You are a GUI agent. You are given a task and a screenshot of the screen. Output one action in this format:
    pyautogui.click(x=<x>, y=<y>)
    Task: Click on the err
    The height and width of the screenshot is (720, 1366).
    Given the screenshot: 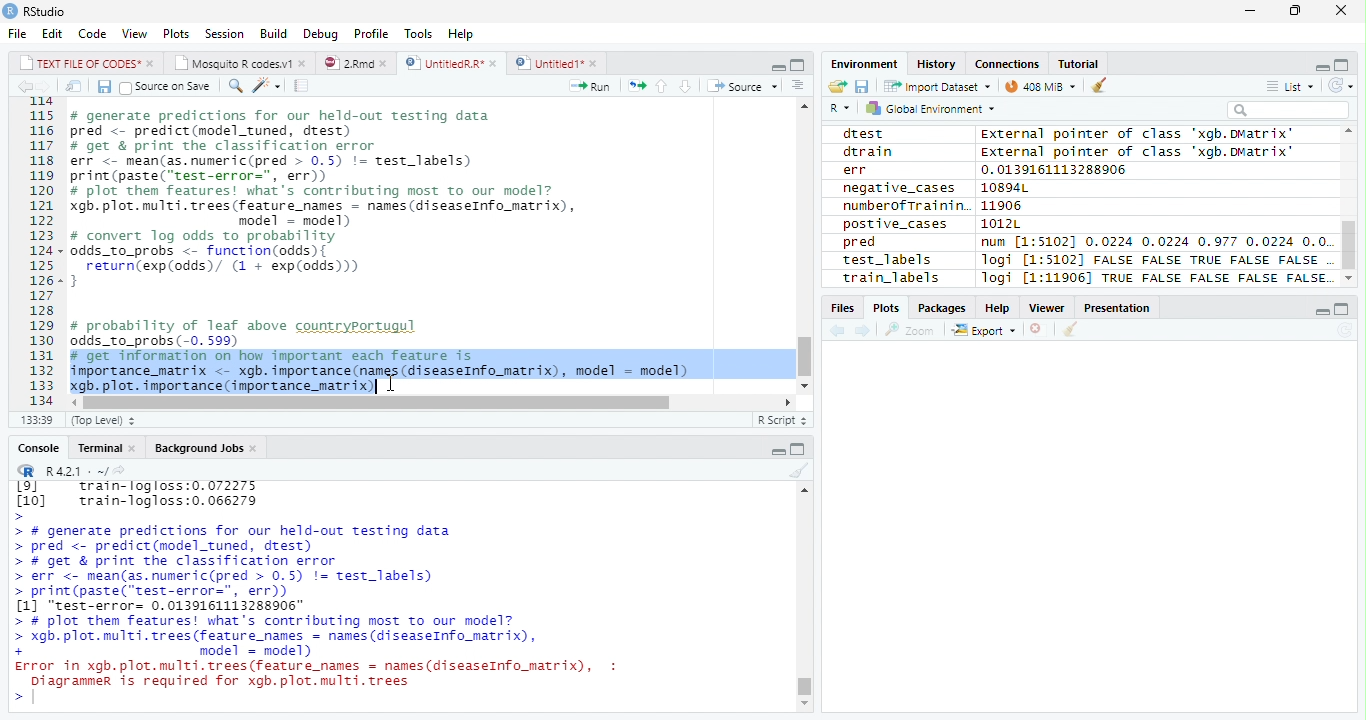 What is the action you would take?
    pyautogui.click(x=854, y=170)
    